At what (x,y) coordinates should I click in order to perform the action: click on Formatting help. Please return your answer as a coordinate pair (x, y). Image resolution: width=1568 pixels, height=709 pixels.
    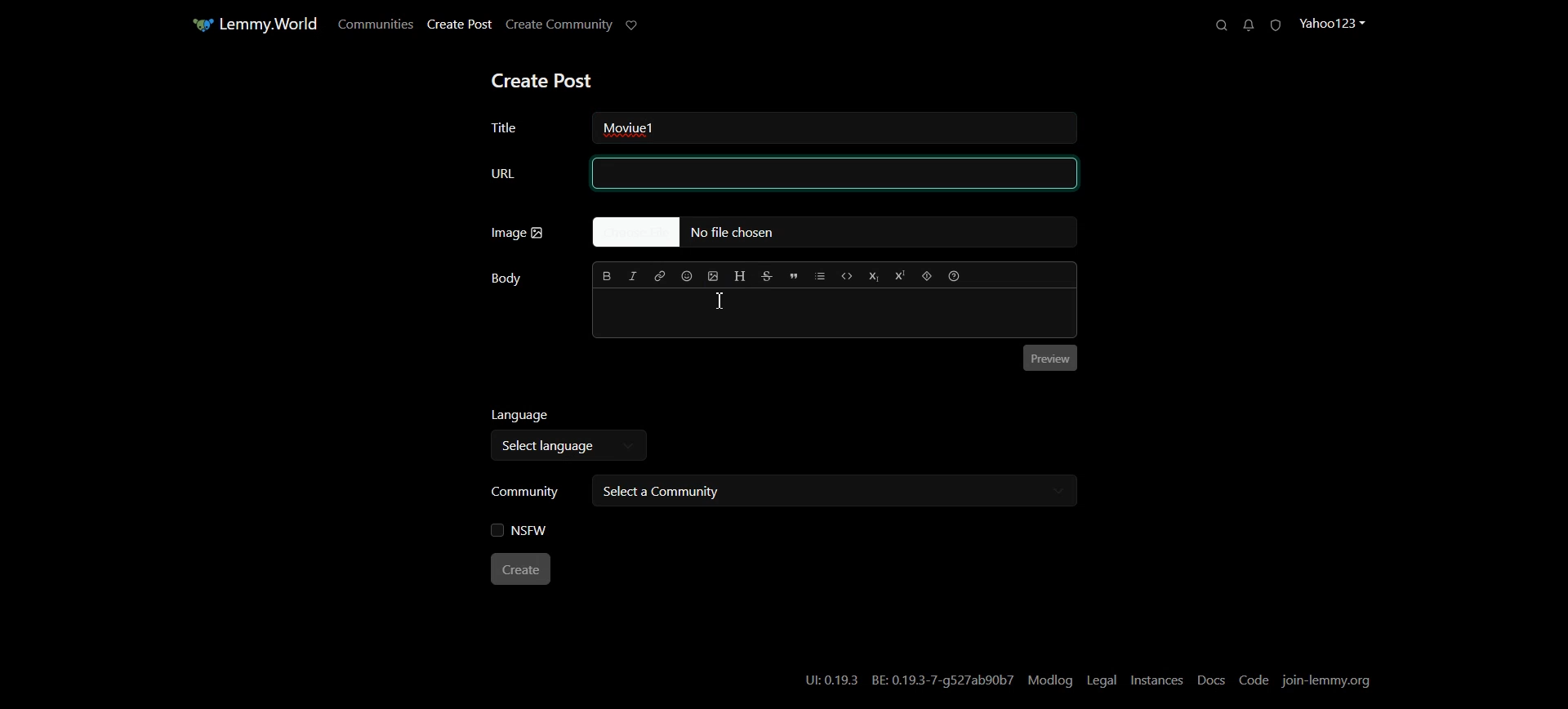
    Looking at the image, I should click on (954, 275).